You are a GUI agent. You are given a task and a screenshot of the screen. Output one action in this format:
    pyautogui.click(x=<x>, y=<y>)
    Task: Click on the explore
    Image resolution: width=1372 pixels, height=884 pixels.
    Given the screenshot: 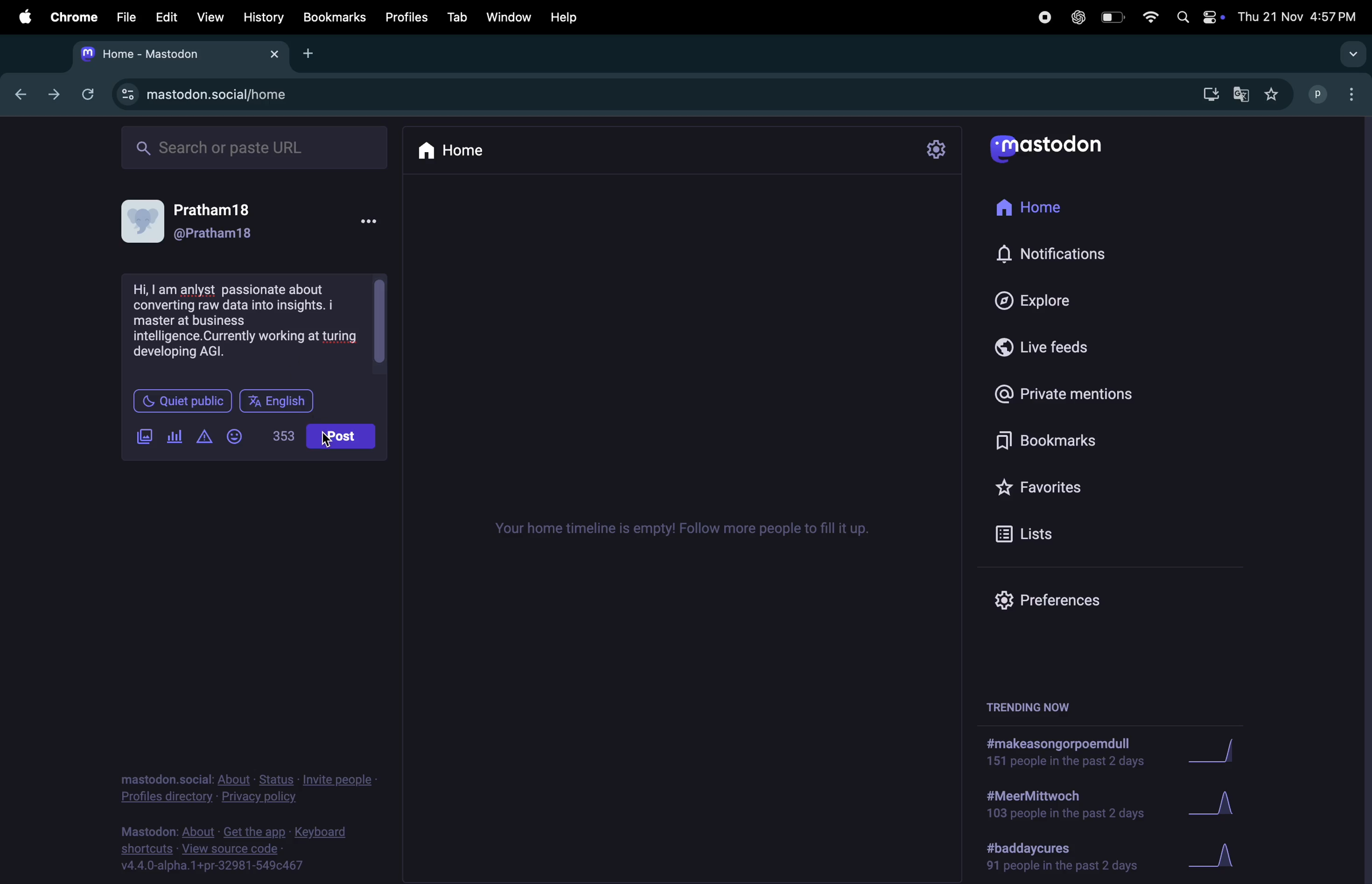 What is the action you would take?
    pyautogui.click(x=1060, y=297)
    